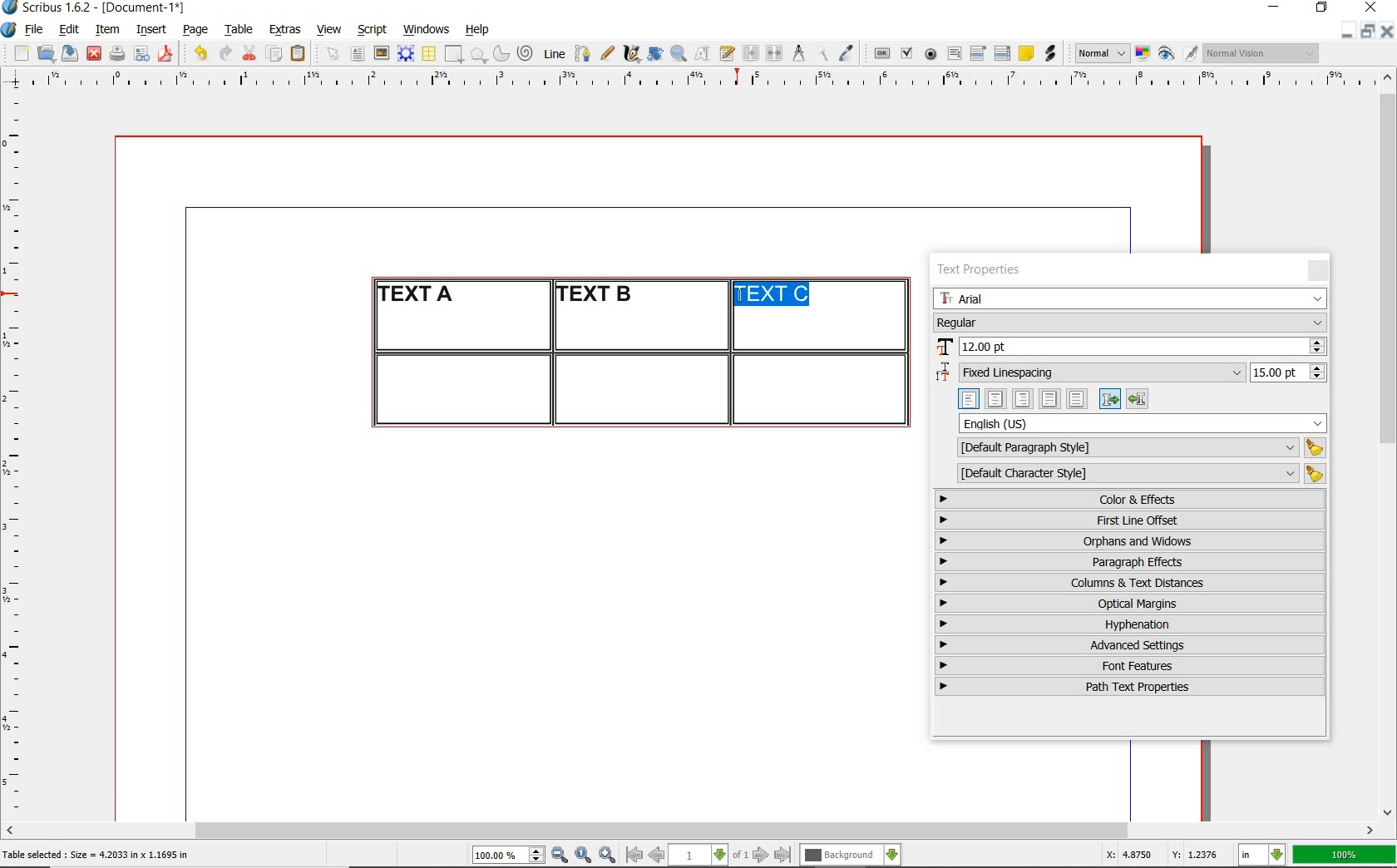 The image size is (1397, 868). What do you see at coordinates (954, 55) in the screenshot?
I see `pdf text field` at bounding box center [954, 55].